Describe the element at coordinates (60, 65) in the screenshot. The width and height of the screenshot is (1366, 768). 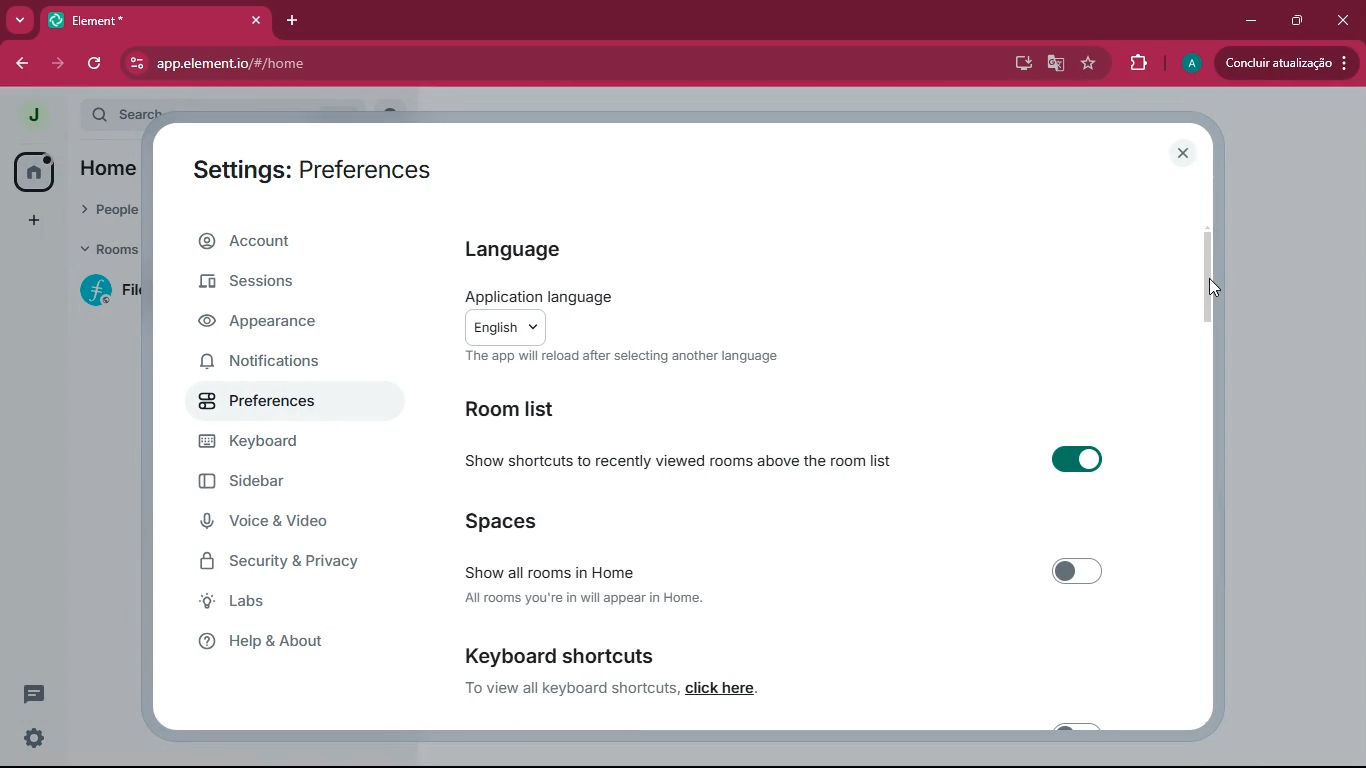
I see `forward` at that location.